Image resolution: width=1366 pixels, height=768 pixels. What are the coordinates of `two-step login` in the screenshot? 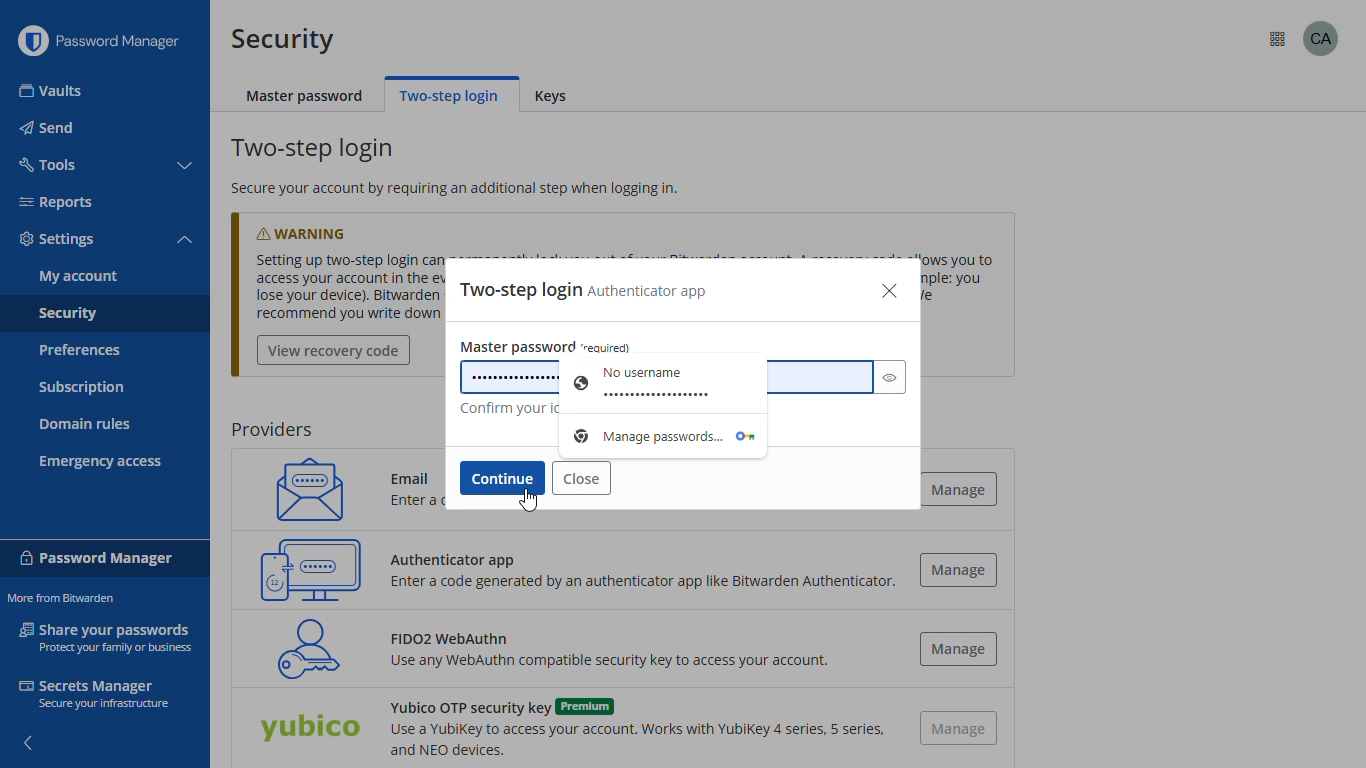 It's located at (449, 95).